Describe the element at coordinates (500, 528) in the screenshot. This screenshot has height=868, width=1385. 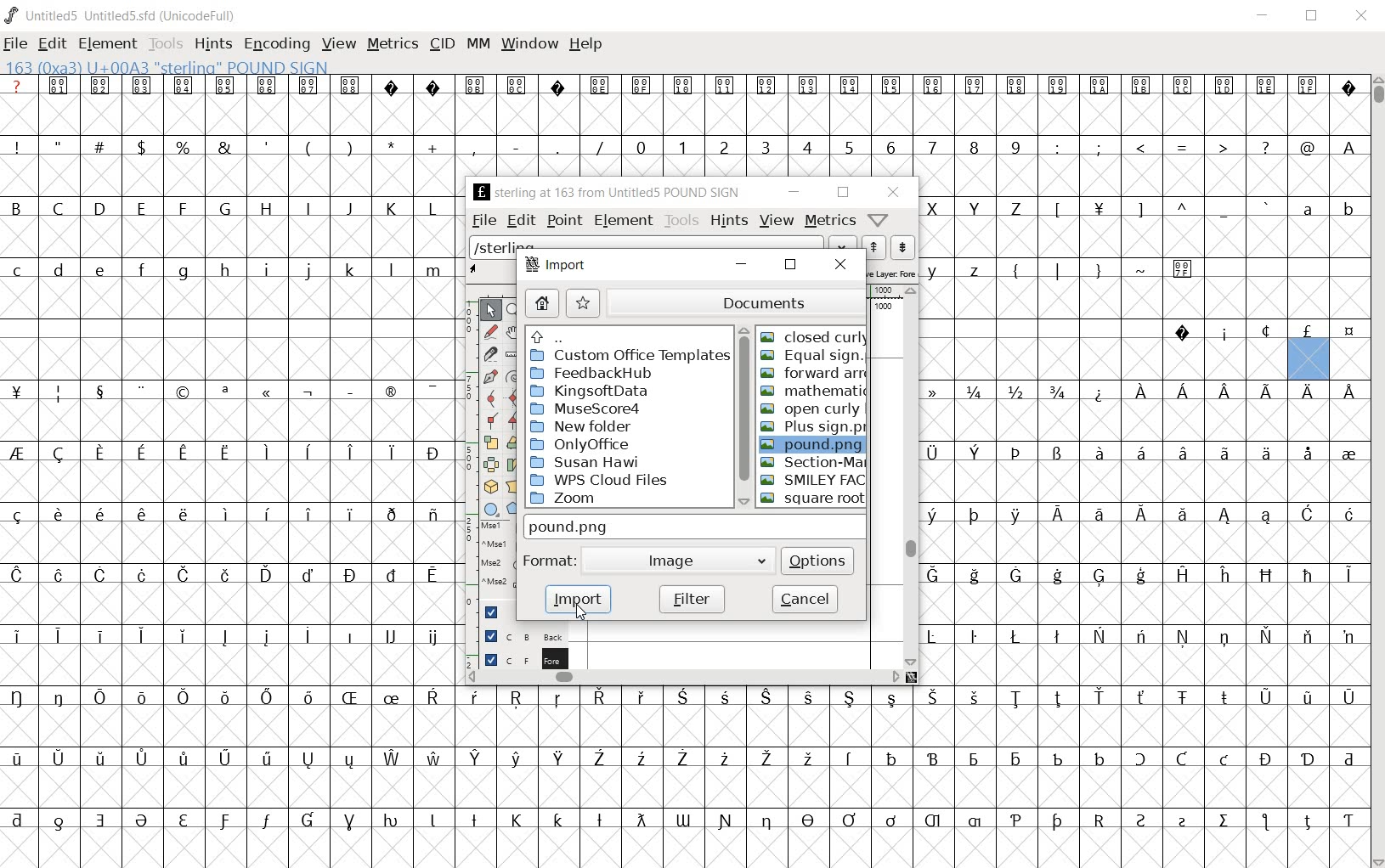
I see `Mouse left button` at that location.